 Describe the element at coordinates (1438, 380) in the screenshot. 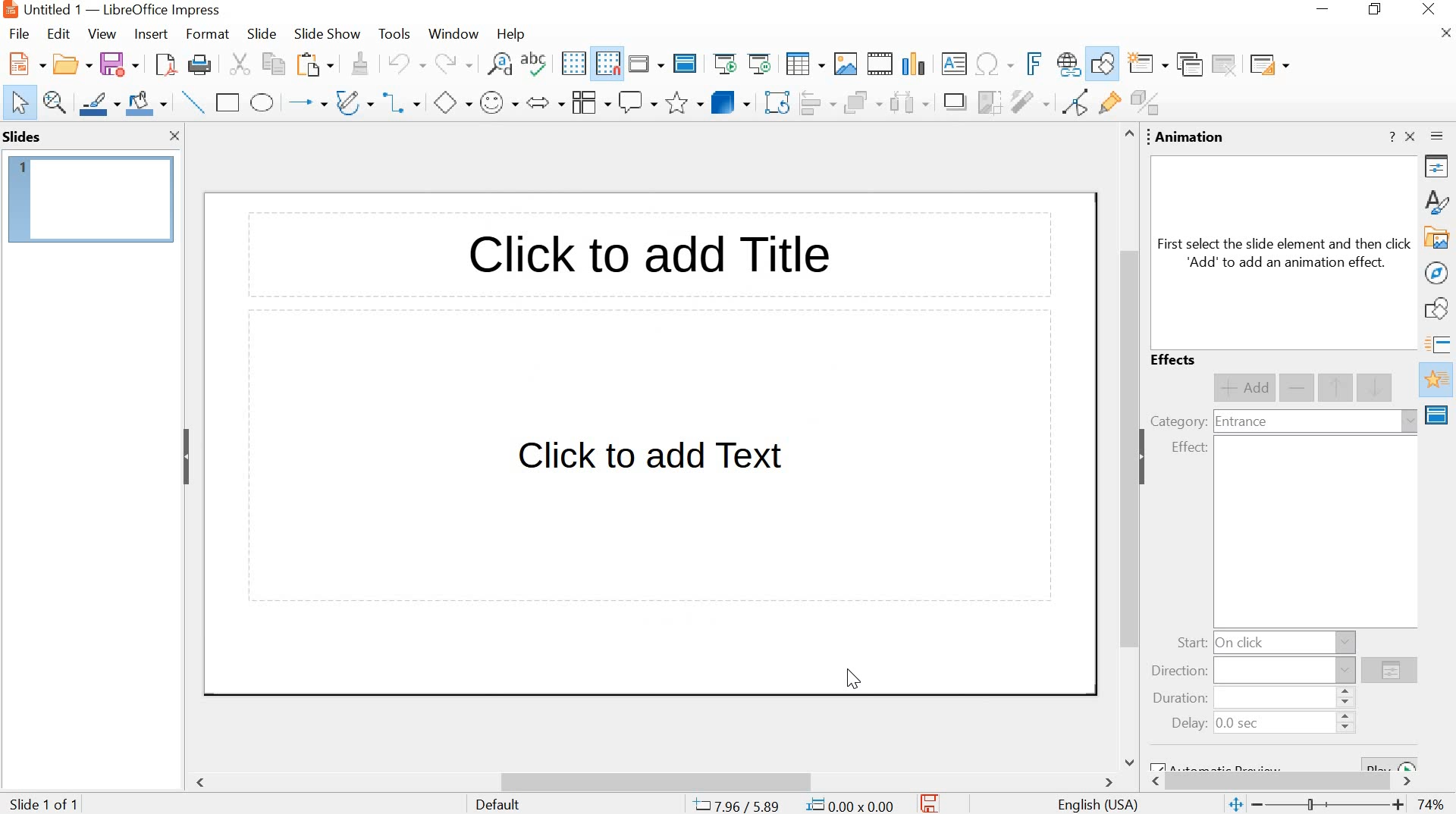

I see `animation` at that location.